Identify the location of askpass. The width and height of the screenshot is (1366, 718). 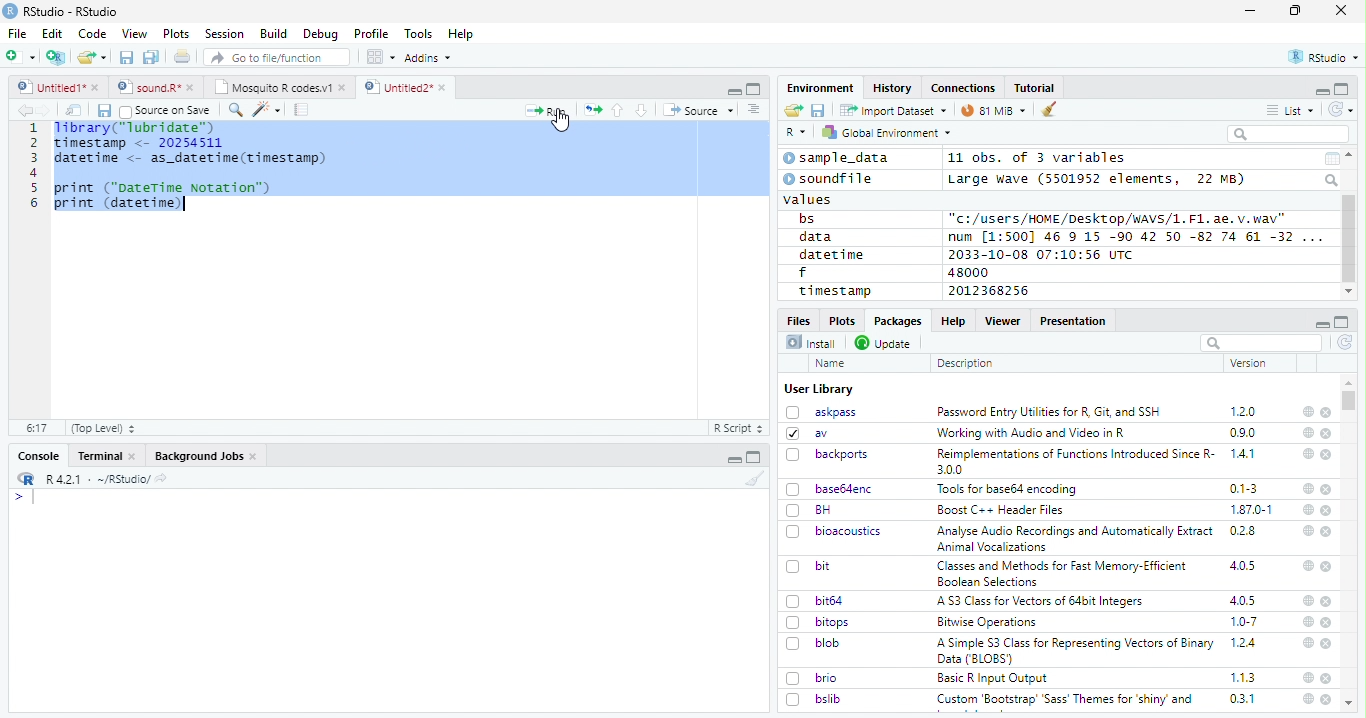
(820, 412).